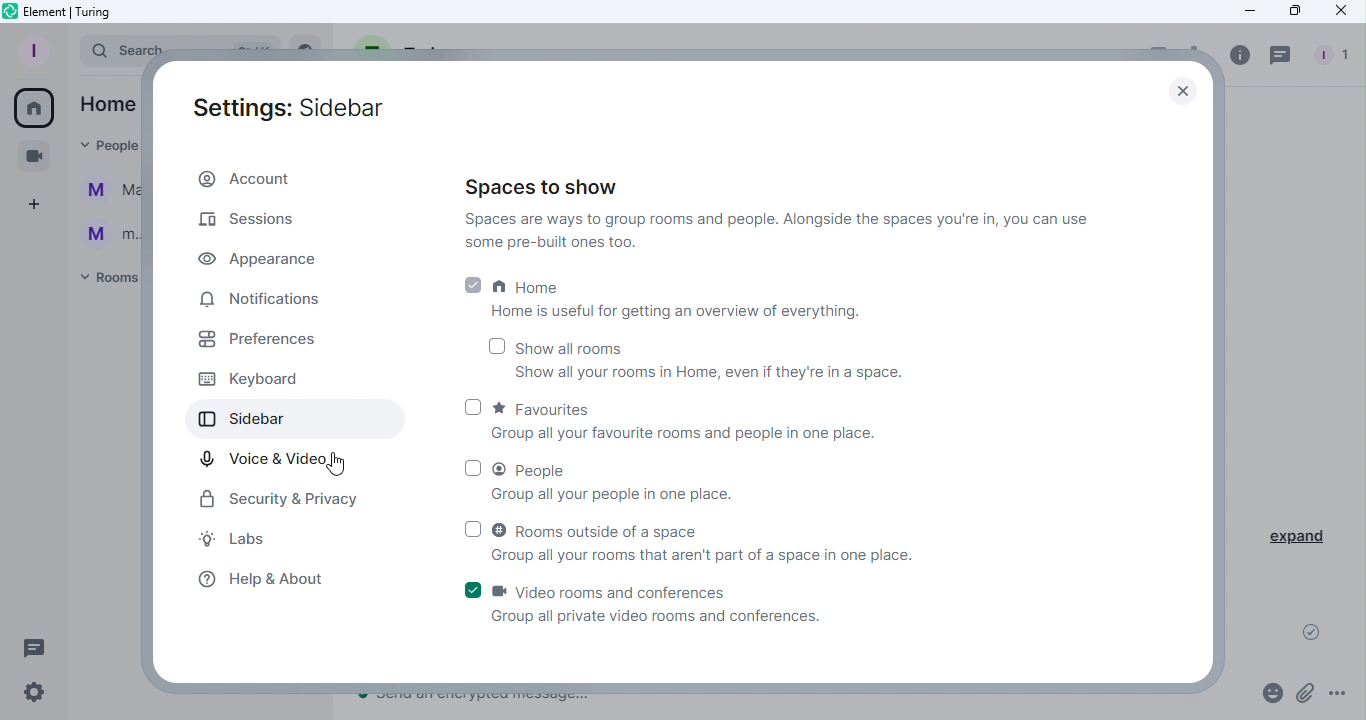  What do you see at coordinates (116, 49) in the screenshot?
I see `Search bar` at bounding box center [116, 49].